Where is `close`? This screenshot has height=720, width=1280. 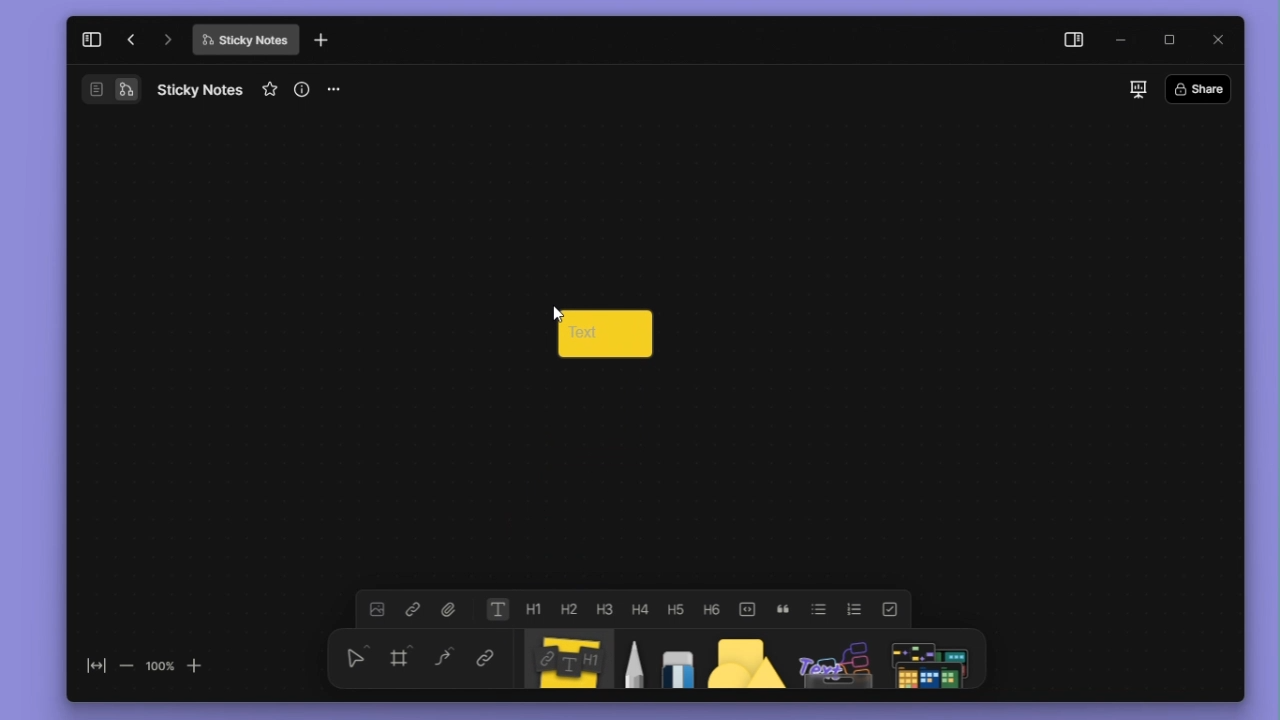
close is located at coordinates (1219, 37).